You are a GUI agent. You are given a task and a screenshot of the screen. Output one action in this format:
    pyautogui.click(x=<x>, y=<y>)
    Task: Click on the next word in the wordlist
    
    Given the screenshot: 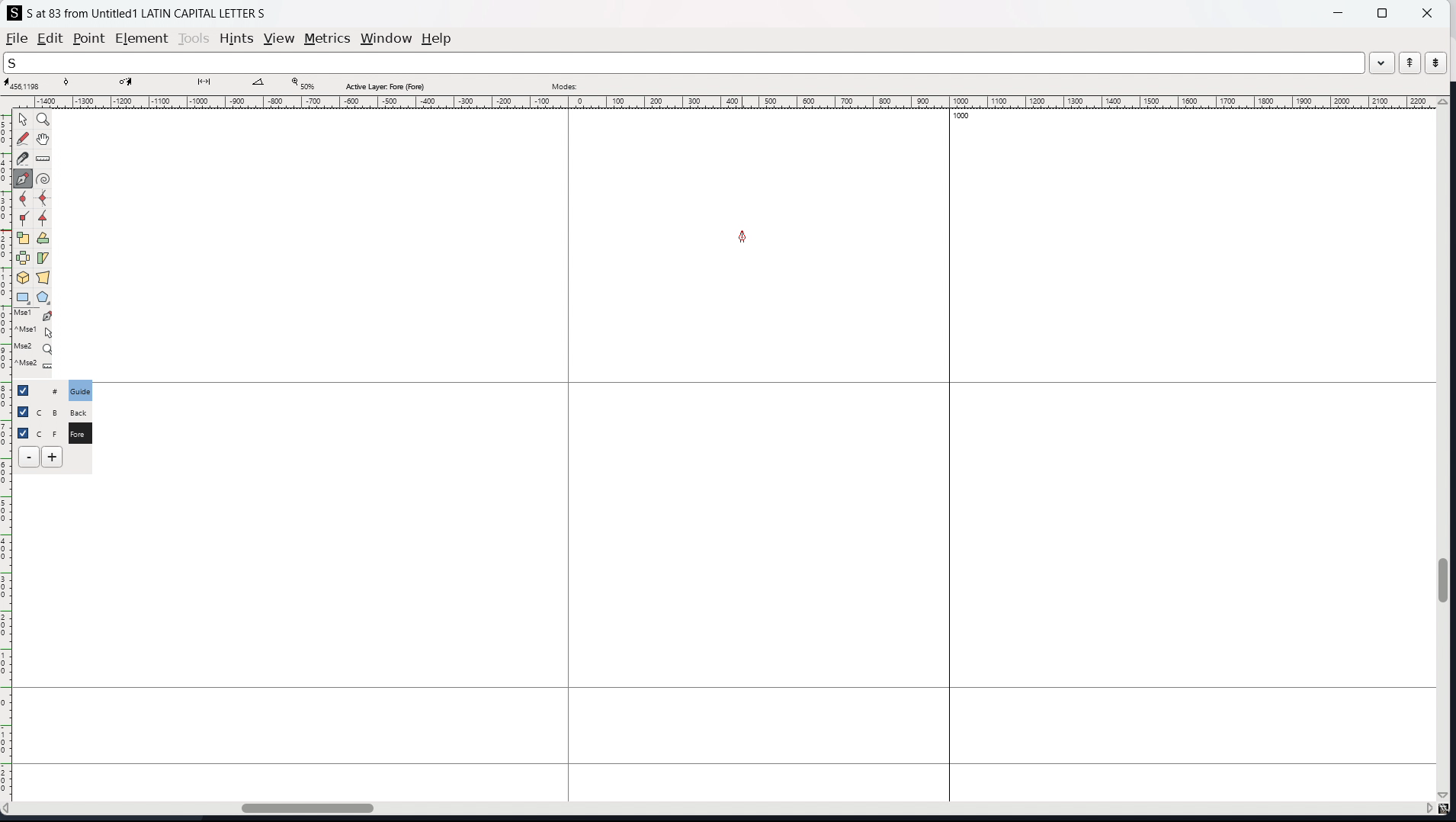 What is the action you would take?
    pyautogui.click(x=1435, y=62)
    